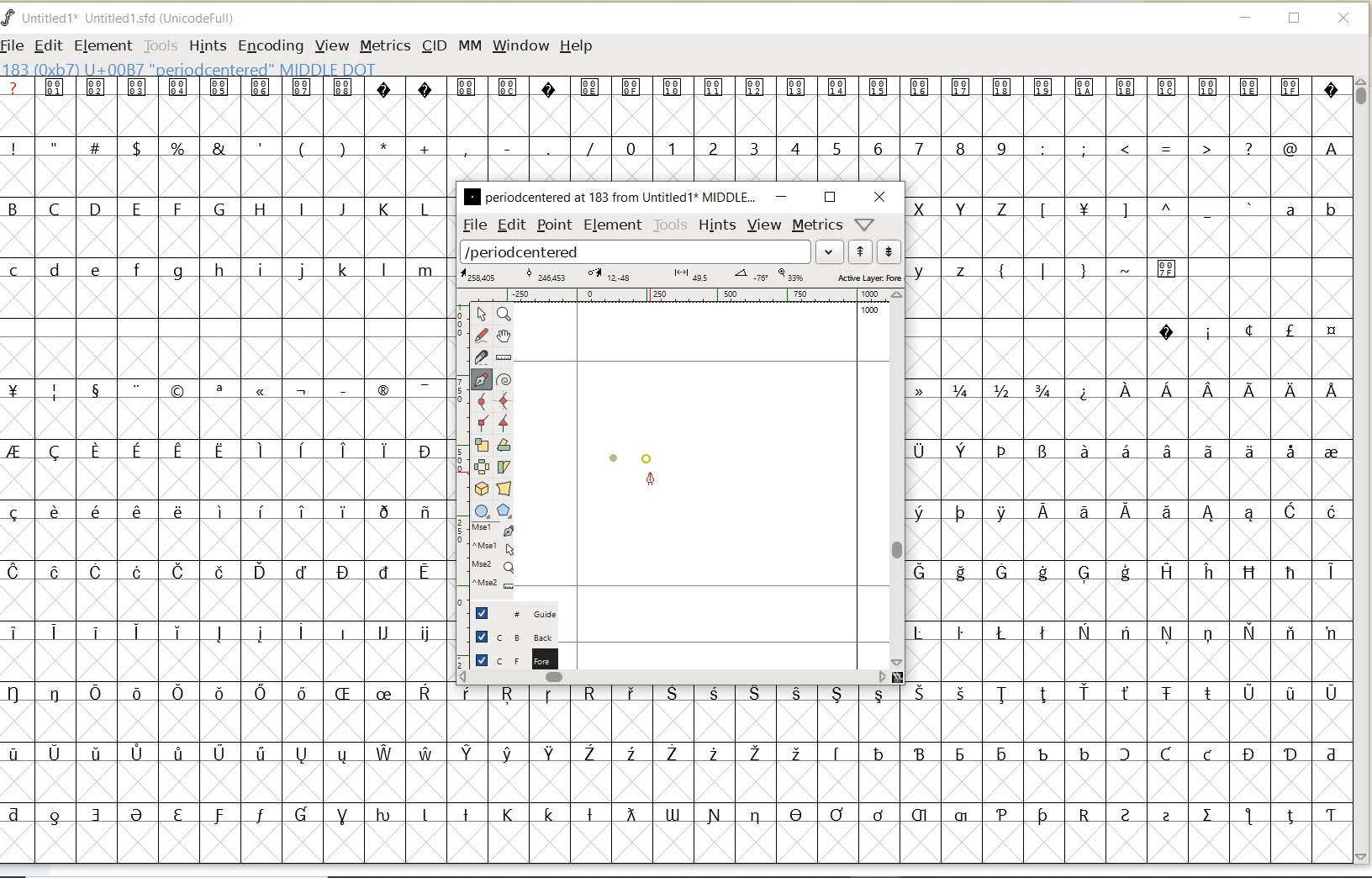 Image resolution: width=1372 pixels, height=878 pixels. Describe the element at coordinates (483, 467) in the screenshot. I see `flip the selection` at that location.